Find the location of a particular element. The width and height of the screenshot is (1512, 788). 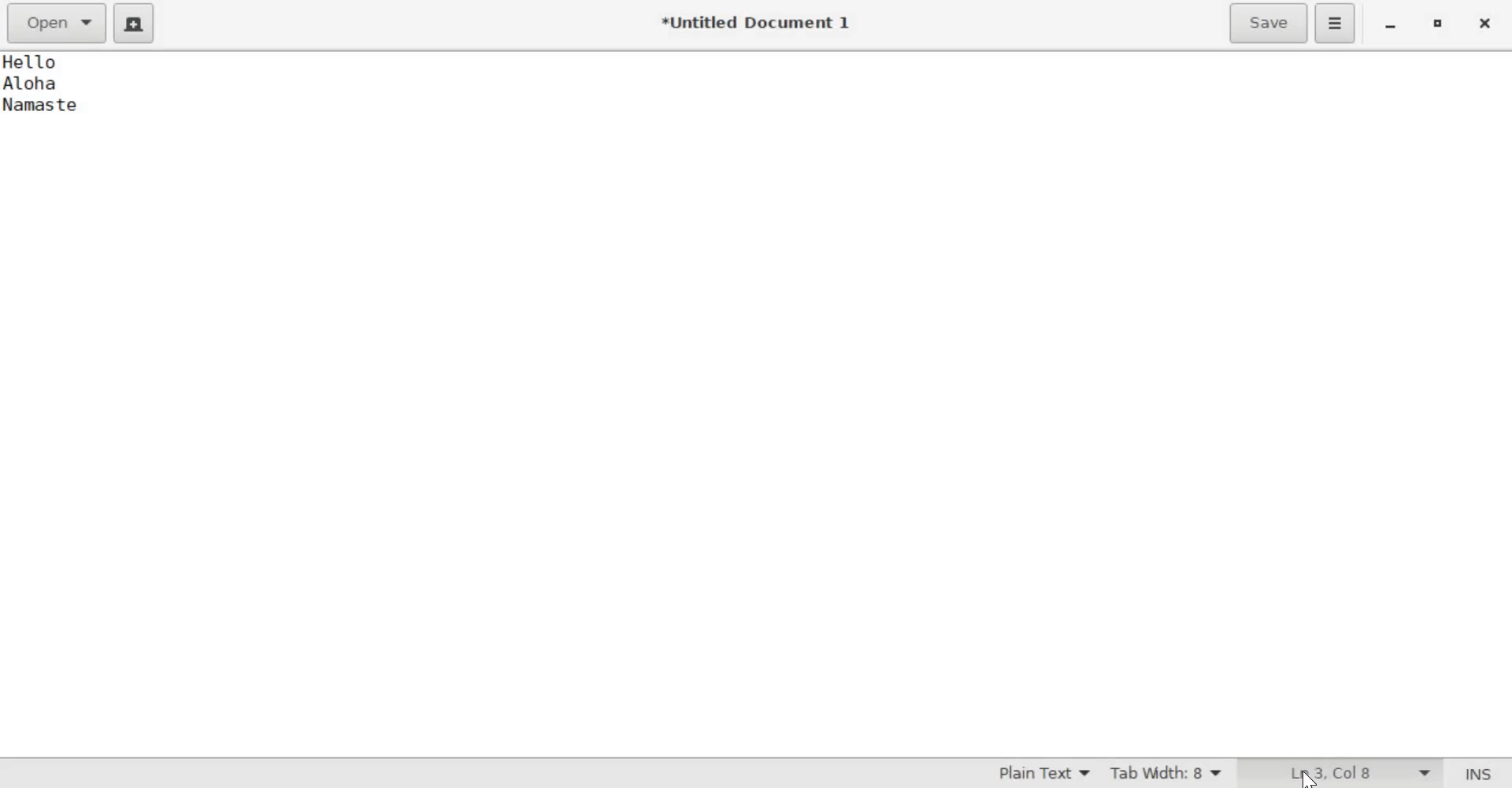

Tab Width is located at coordinates (1169, 773).